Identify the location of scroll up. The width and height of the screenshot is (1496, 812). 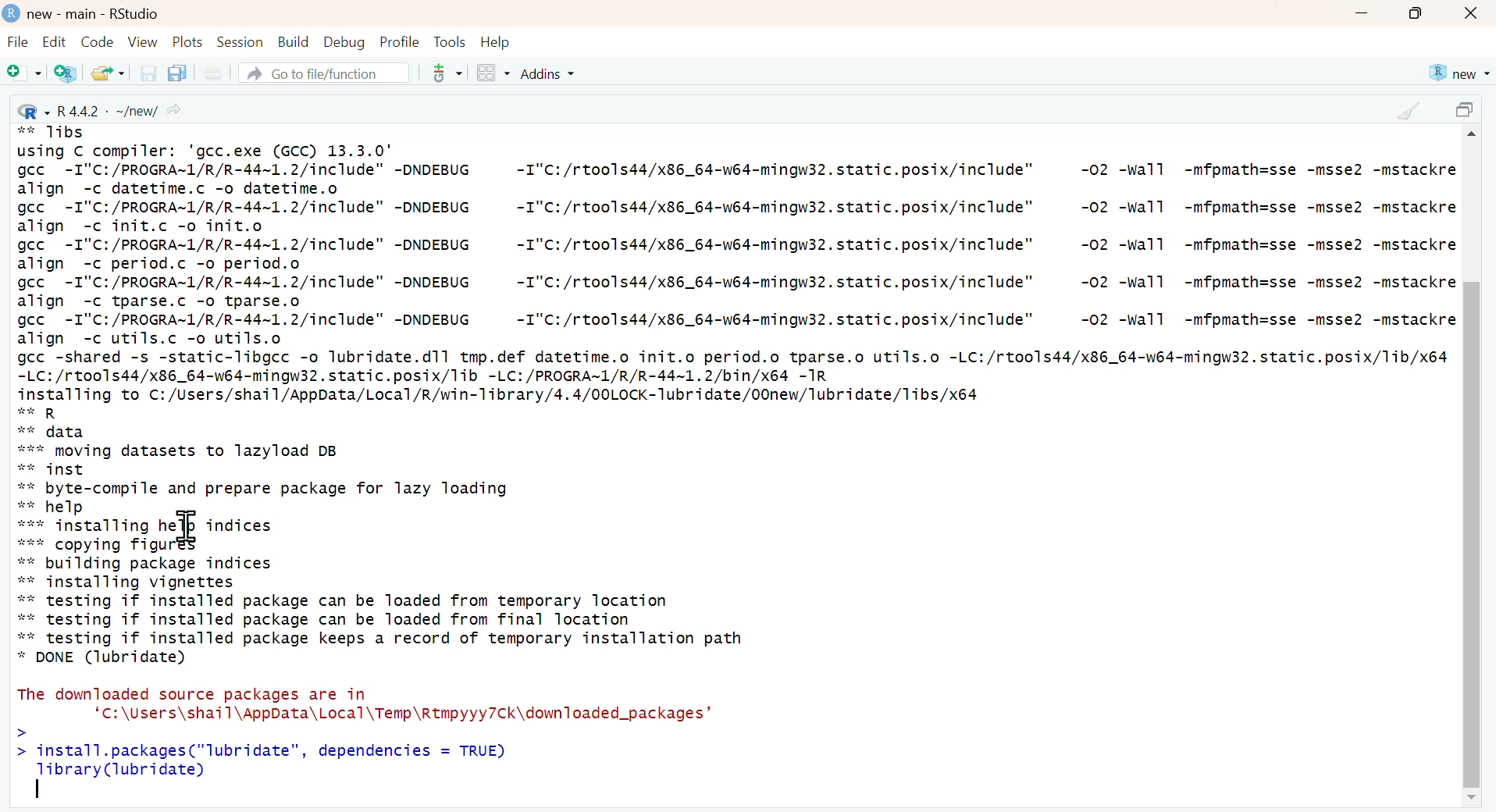
(1474, 137).